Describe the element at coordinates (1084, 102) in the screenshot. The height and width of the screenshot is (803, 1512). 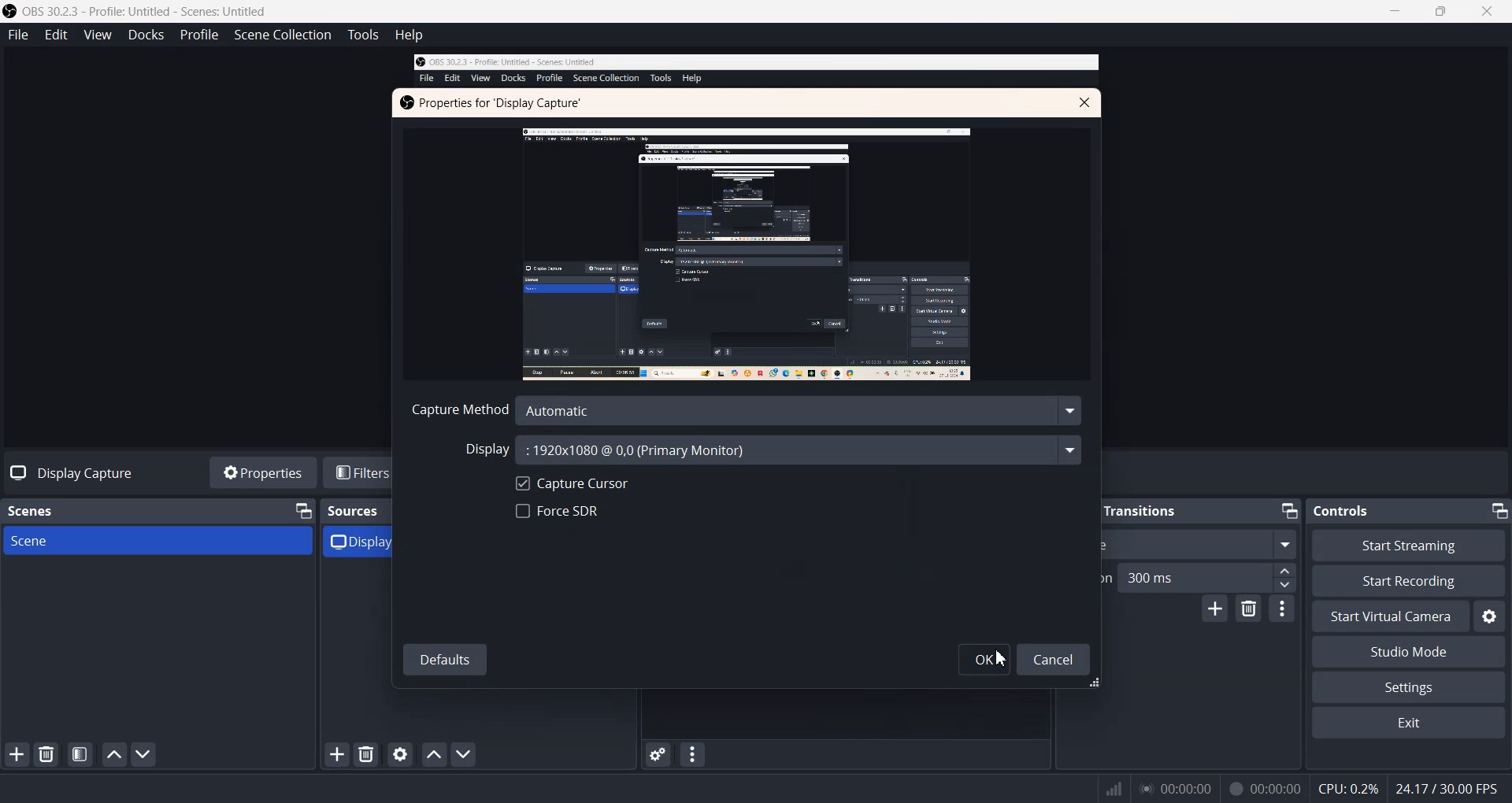
I see `Close` at that location.